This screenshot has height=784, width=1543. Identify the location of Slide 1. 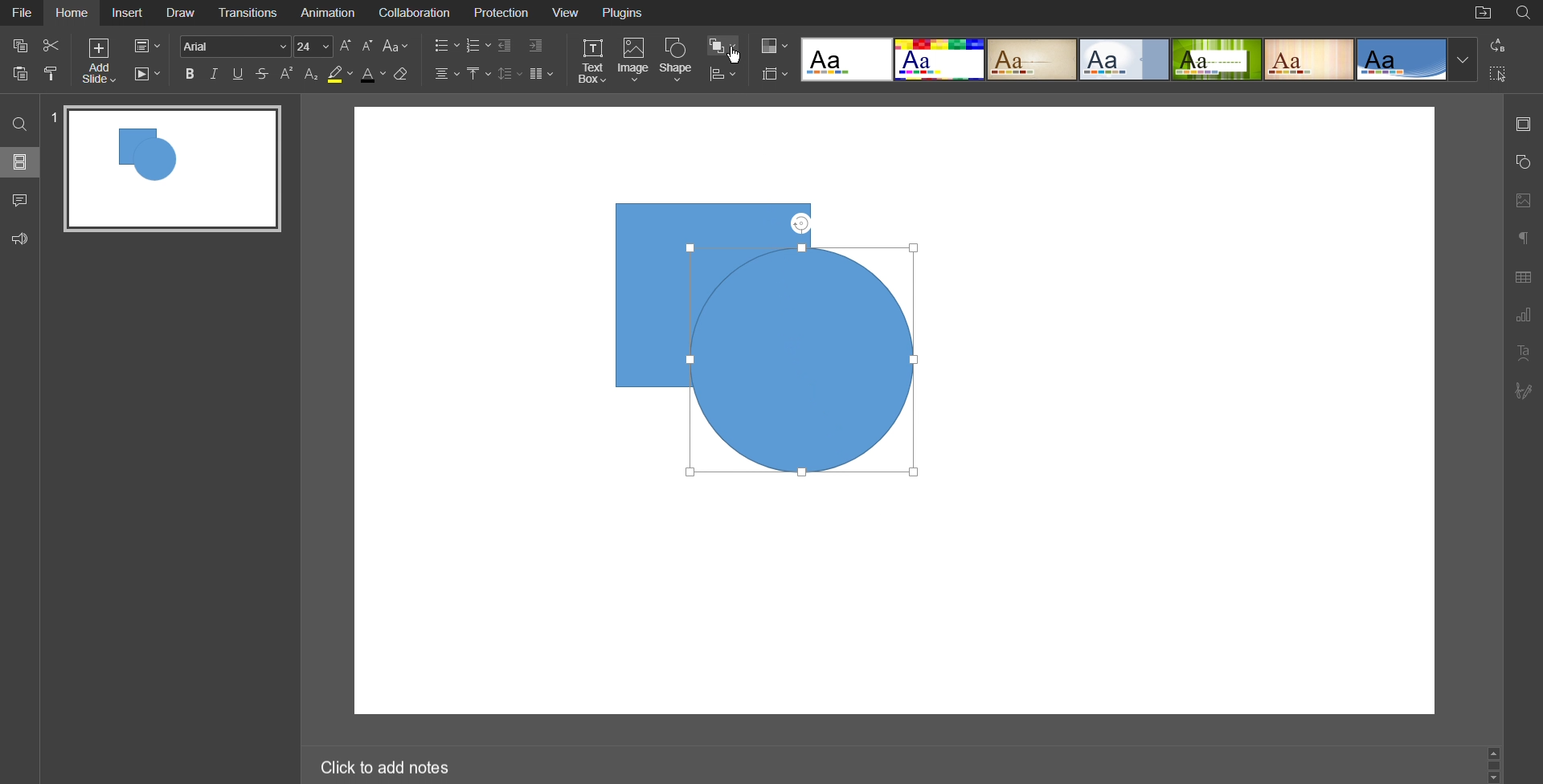
(170, 166).